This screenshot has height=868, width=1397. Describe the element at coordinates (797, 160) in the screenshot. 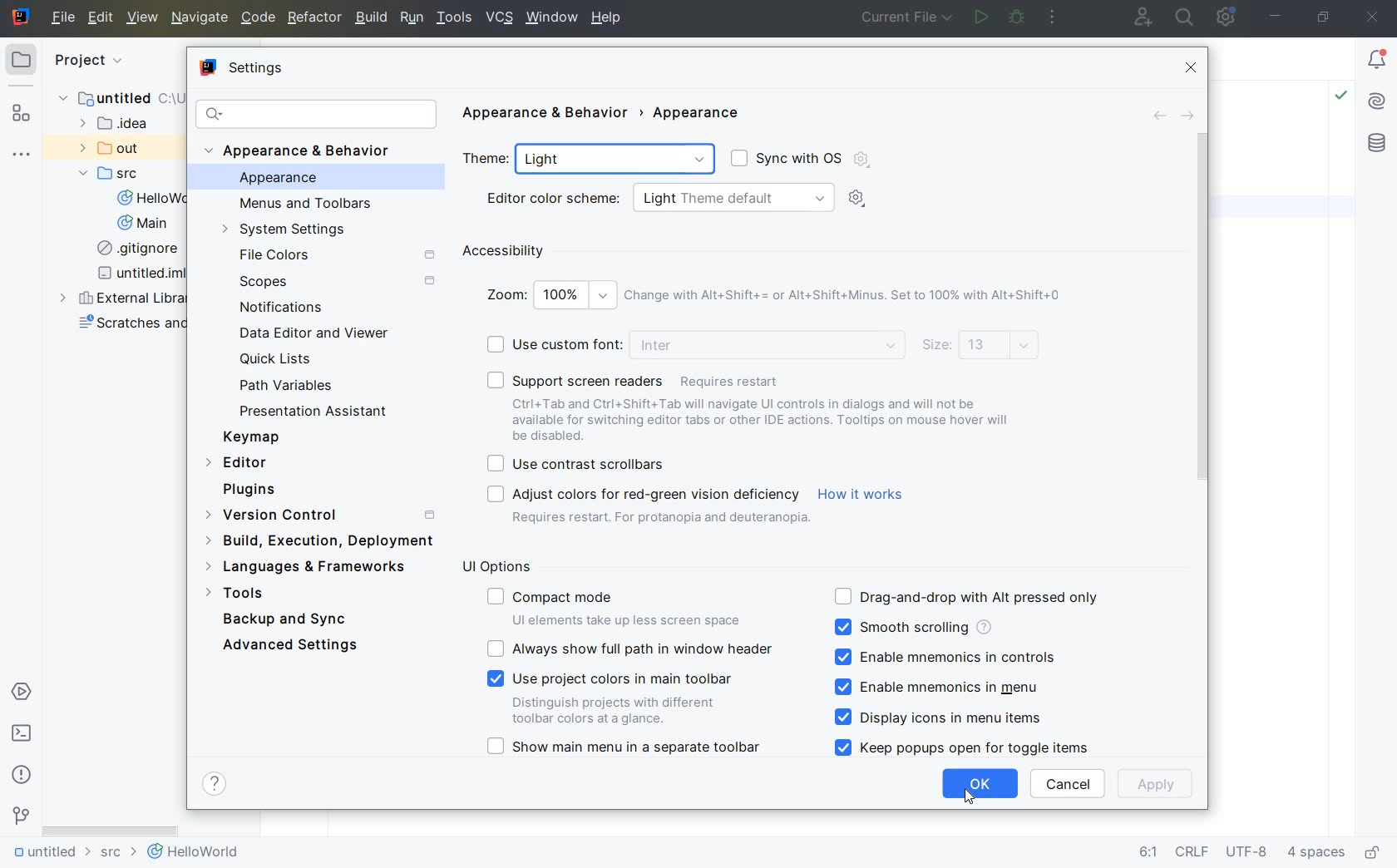

I see `Sync with OS` at that location.